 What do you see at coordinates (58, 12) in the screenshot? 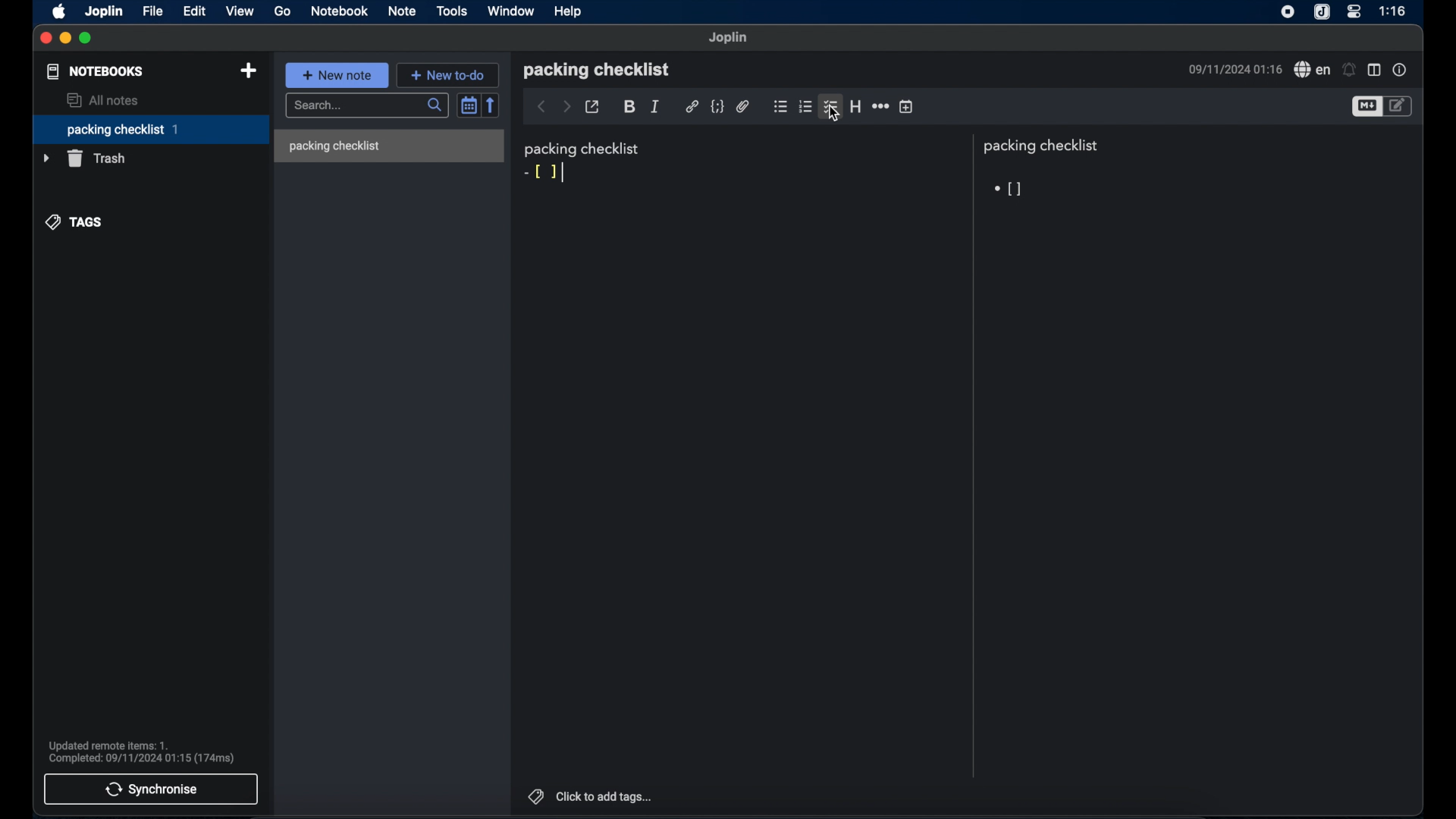
I see `apple icon` at bounding box center [58, 12].